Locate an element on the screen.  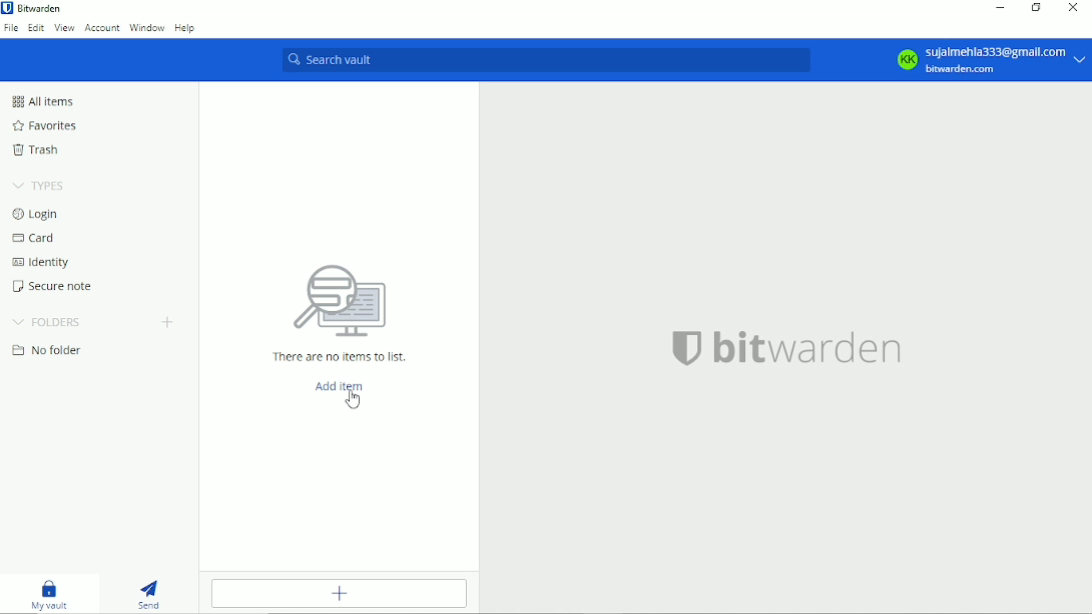
bitwarden is located at coordinates (785, 346).